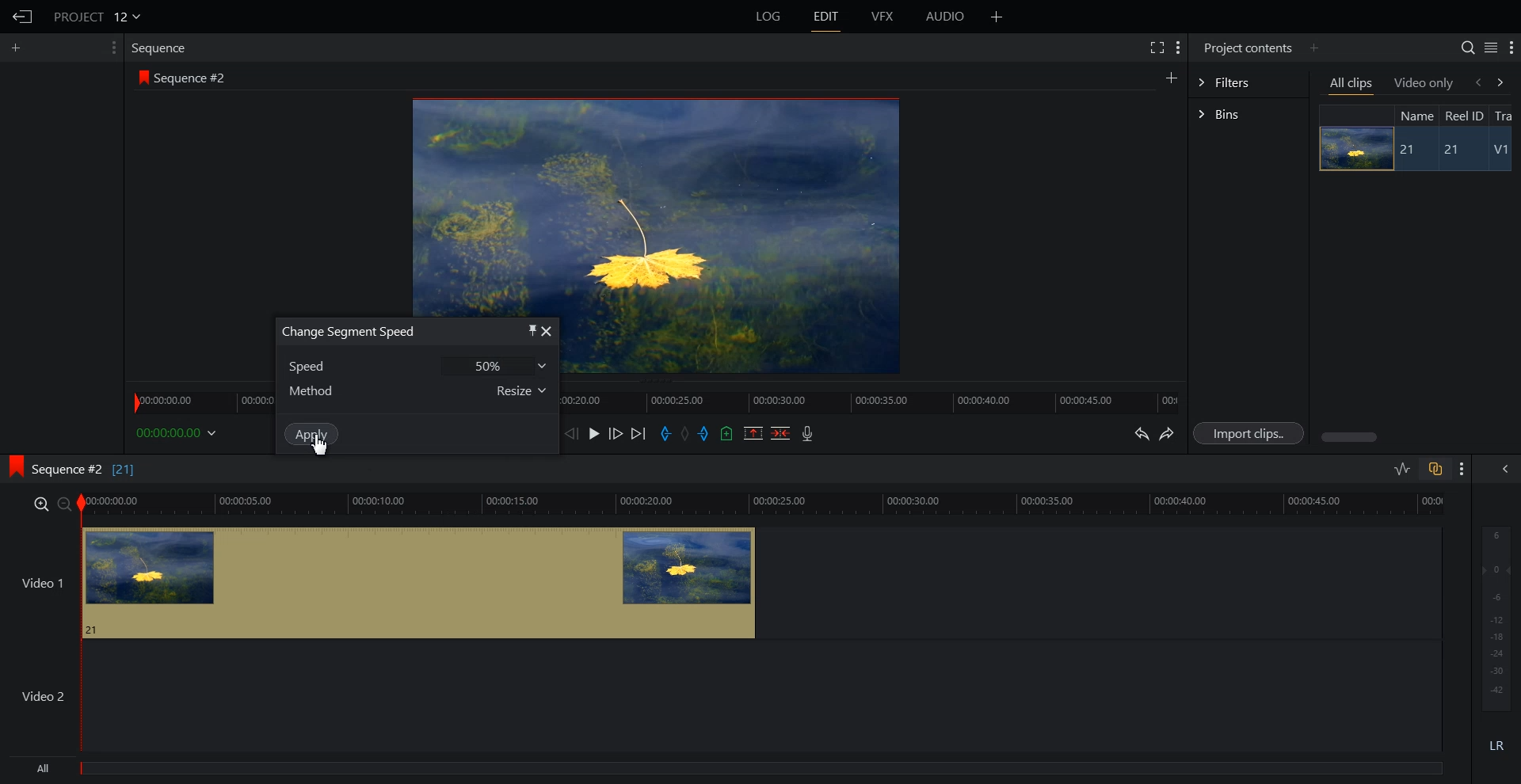 This screenshot has height=784, width=1521. What do you see at coordinates (651, 202) in the screenshot?
I see `Window preview` at bounding box center [651, 202].